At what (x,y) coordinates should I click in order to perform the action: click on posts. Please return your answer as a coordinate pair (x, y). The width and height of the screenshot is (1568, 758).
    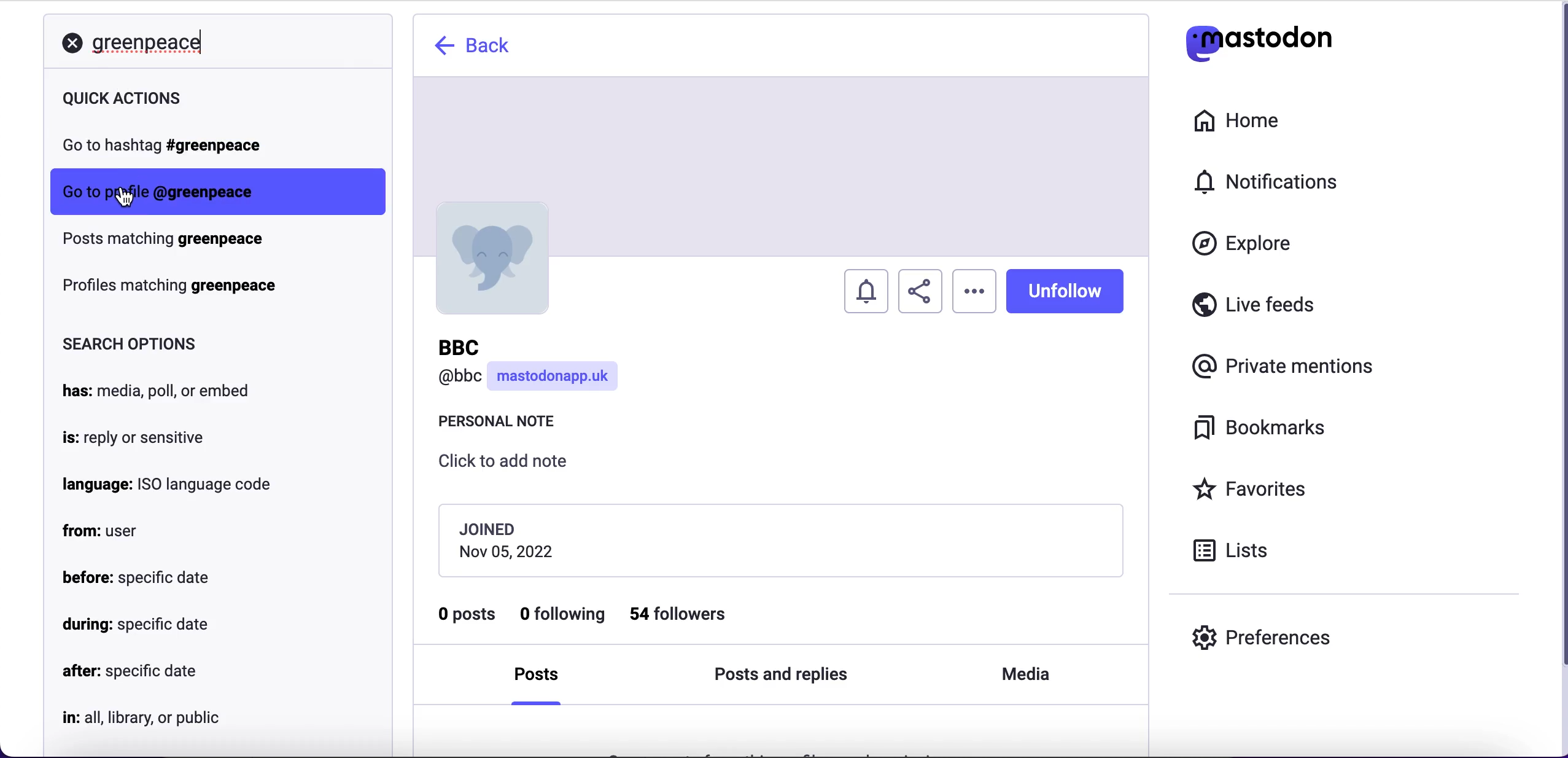
    Looking at the image, I should click on (541, 679).